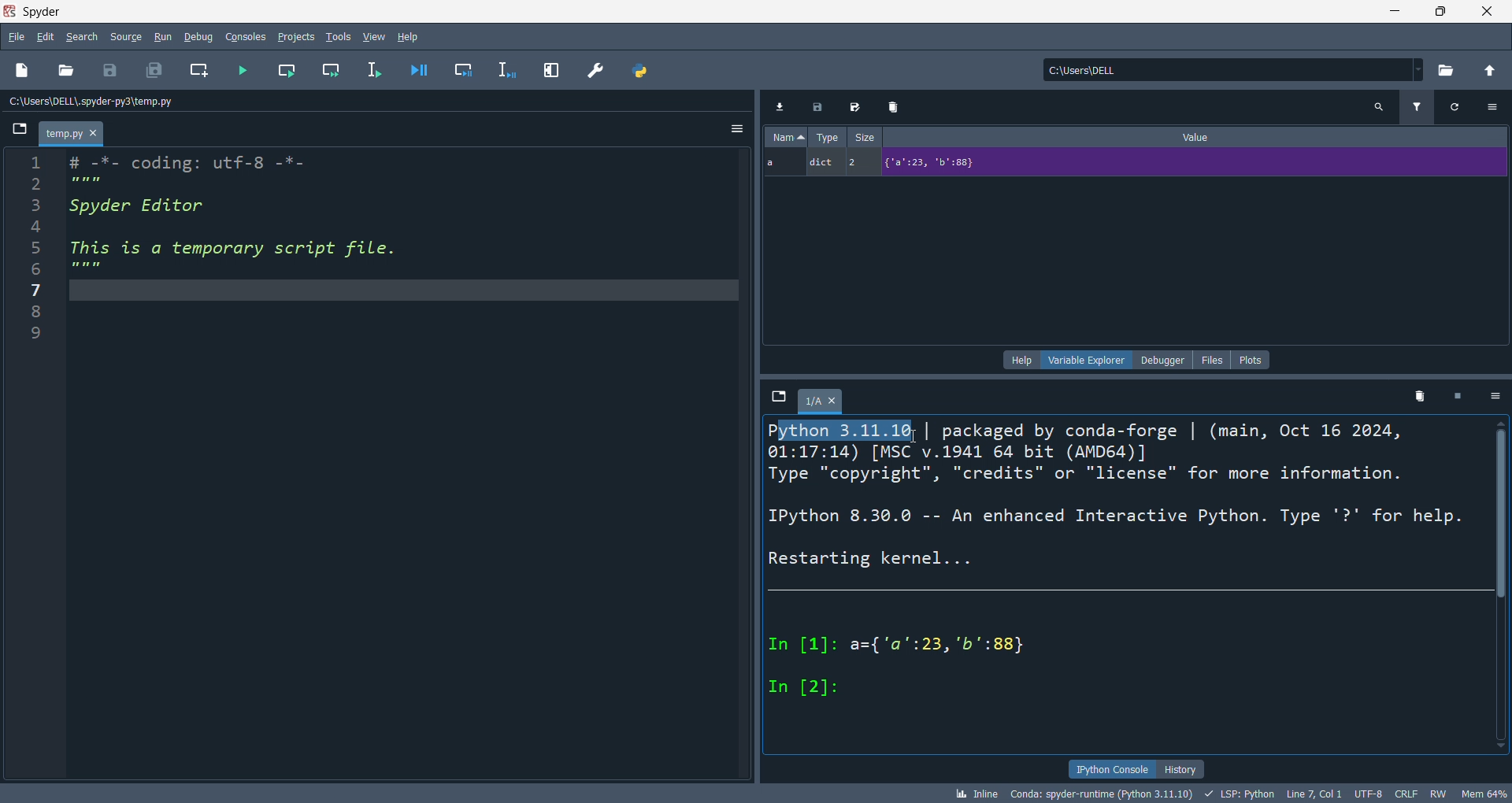  What do you see at coordinates (72, 132) in the screenshot?
I see `temp.py tab` at bounding box center [72, 132].